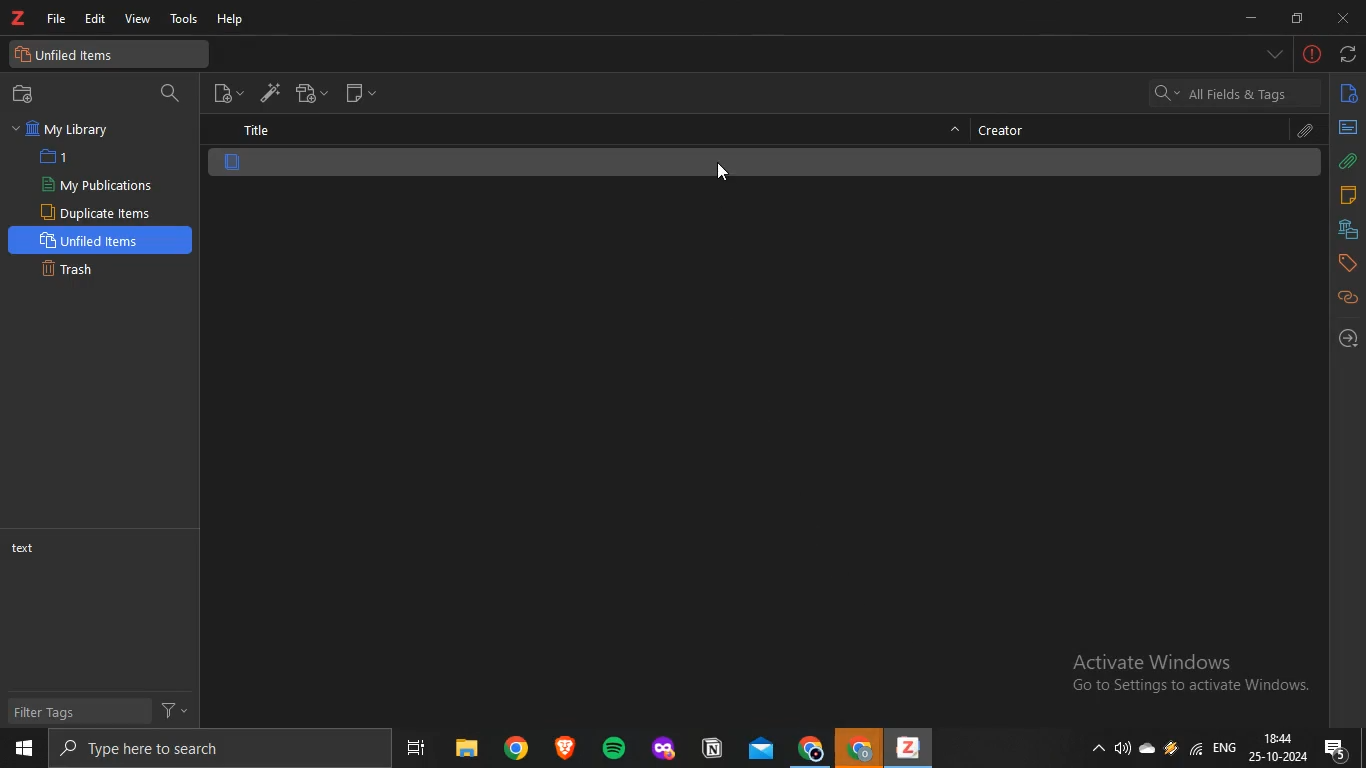  I want to click on add items by identifier, so click(270, 92).